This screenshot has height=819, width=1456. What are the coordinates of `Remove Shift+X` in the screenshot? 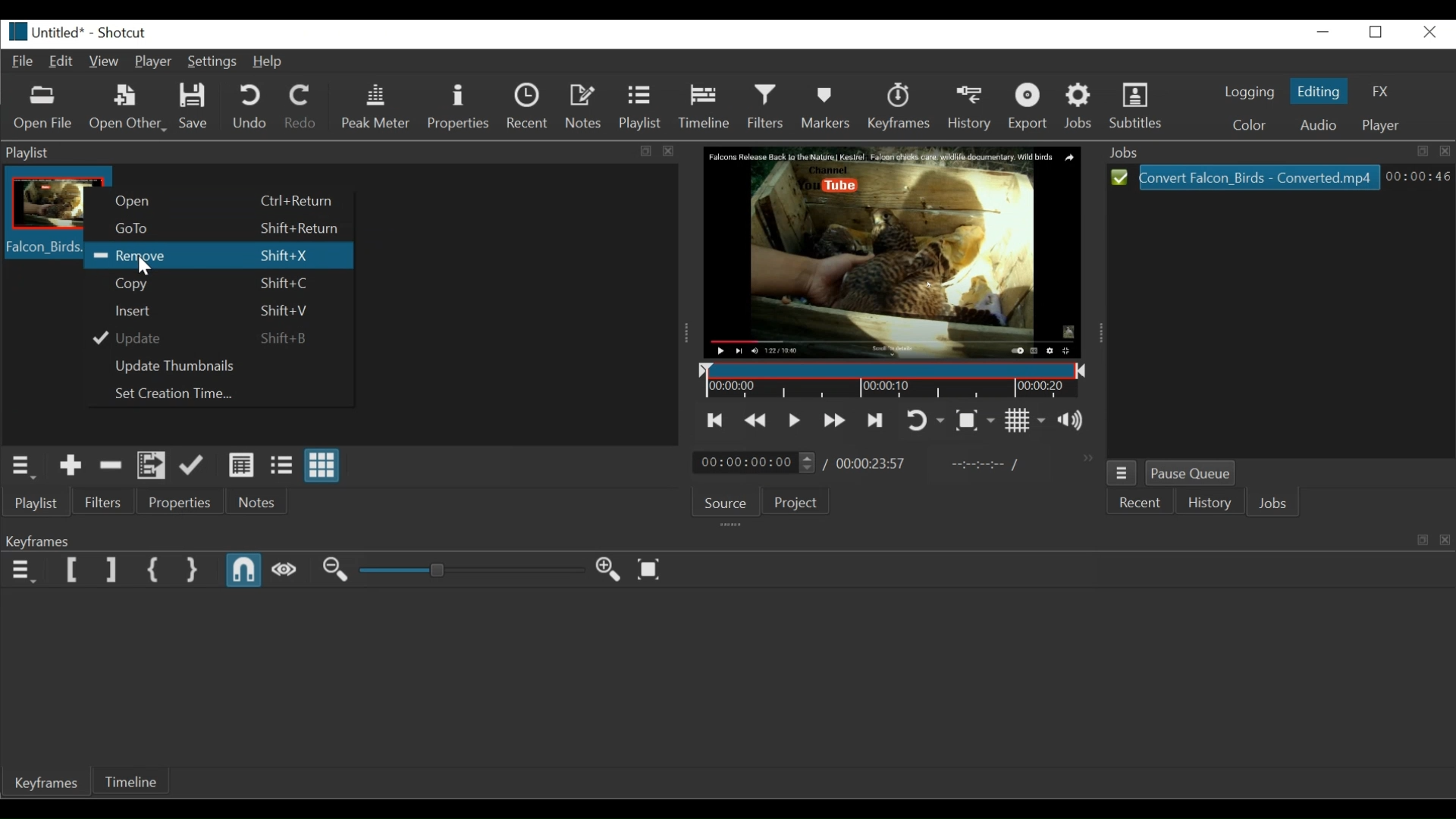 It's located at (224, 256).